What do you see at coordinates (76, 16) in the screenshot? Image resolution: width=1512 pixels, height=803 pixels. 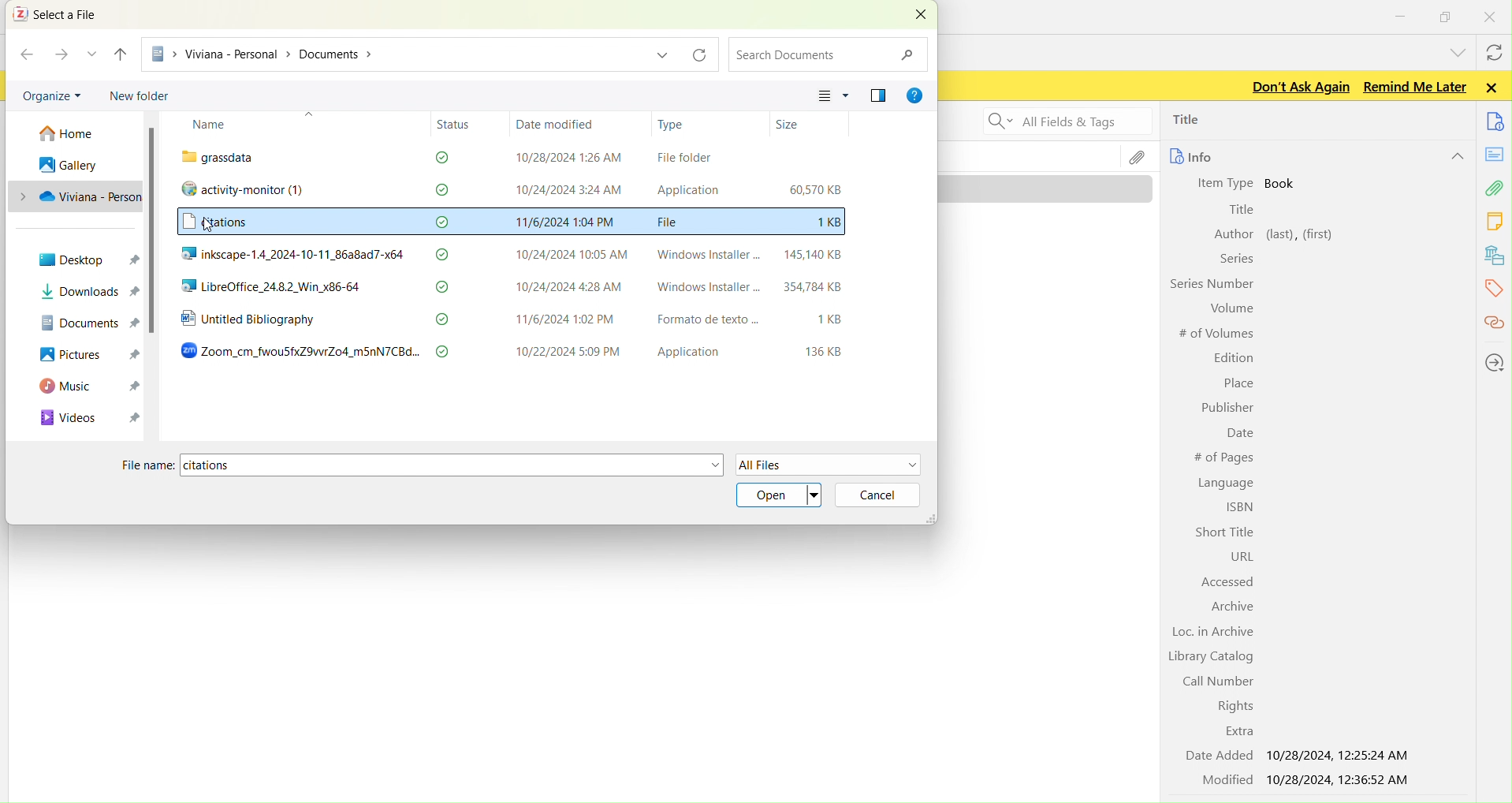 I see `select a file` at bounding box center [76, 16].